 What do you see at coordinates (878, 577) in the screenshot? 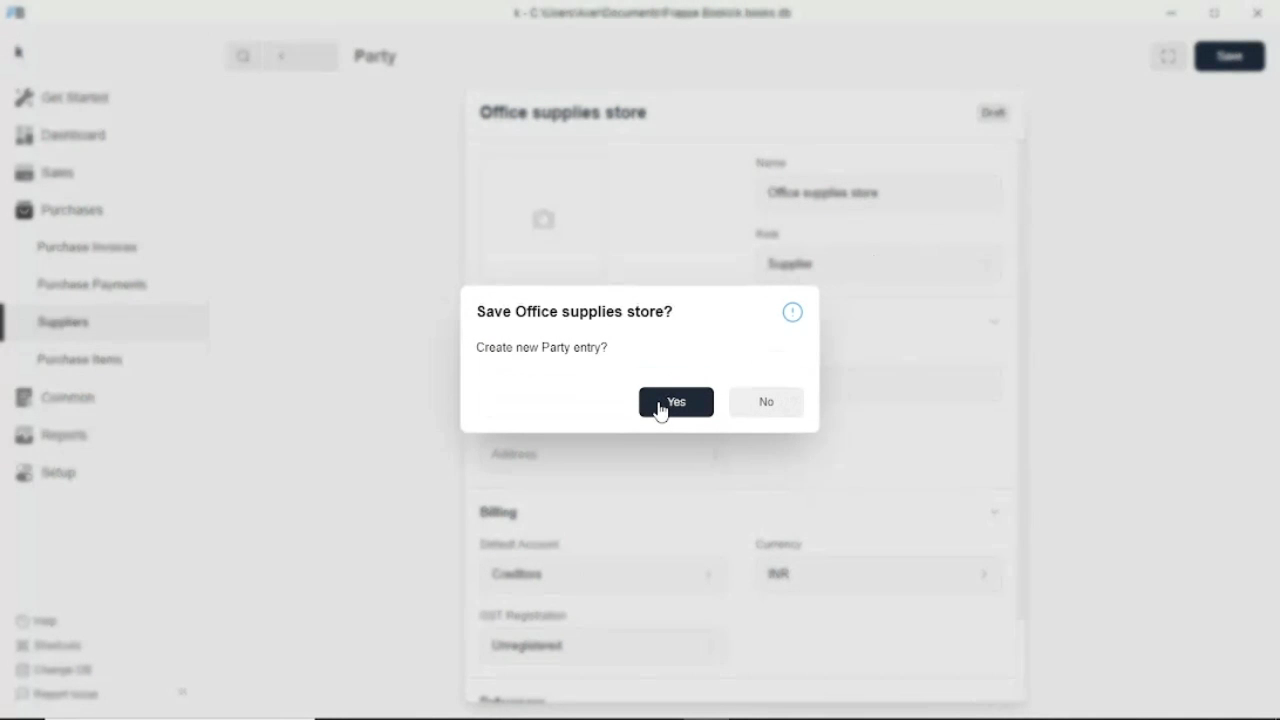
I see `INR` at bounding box center [878, 577].